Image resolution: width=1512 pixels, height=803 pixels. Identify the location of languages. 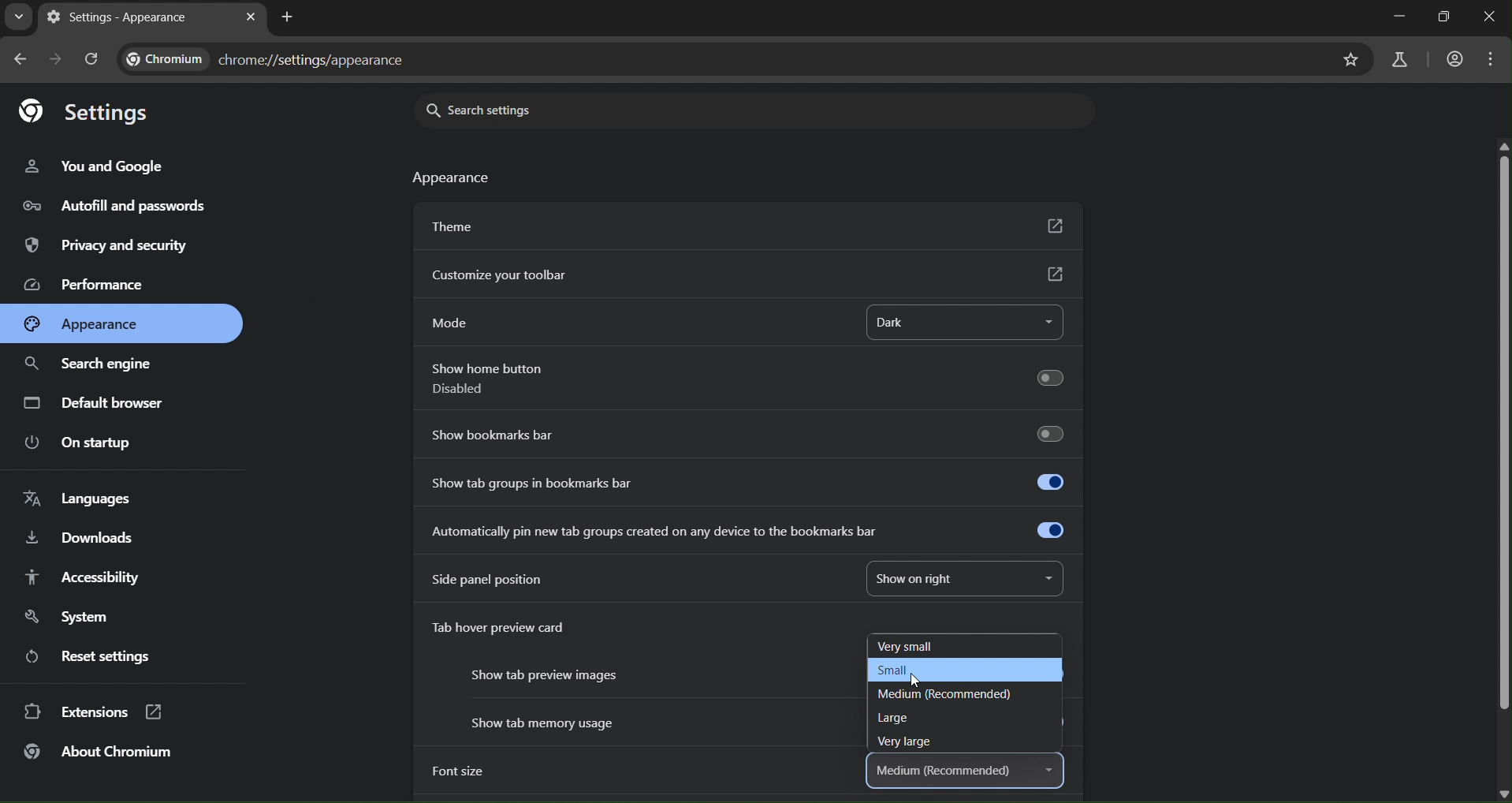
(76, 497).